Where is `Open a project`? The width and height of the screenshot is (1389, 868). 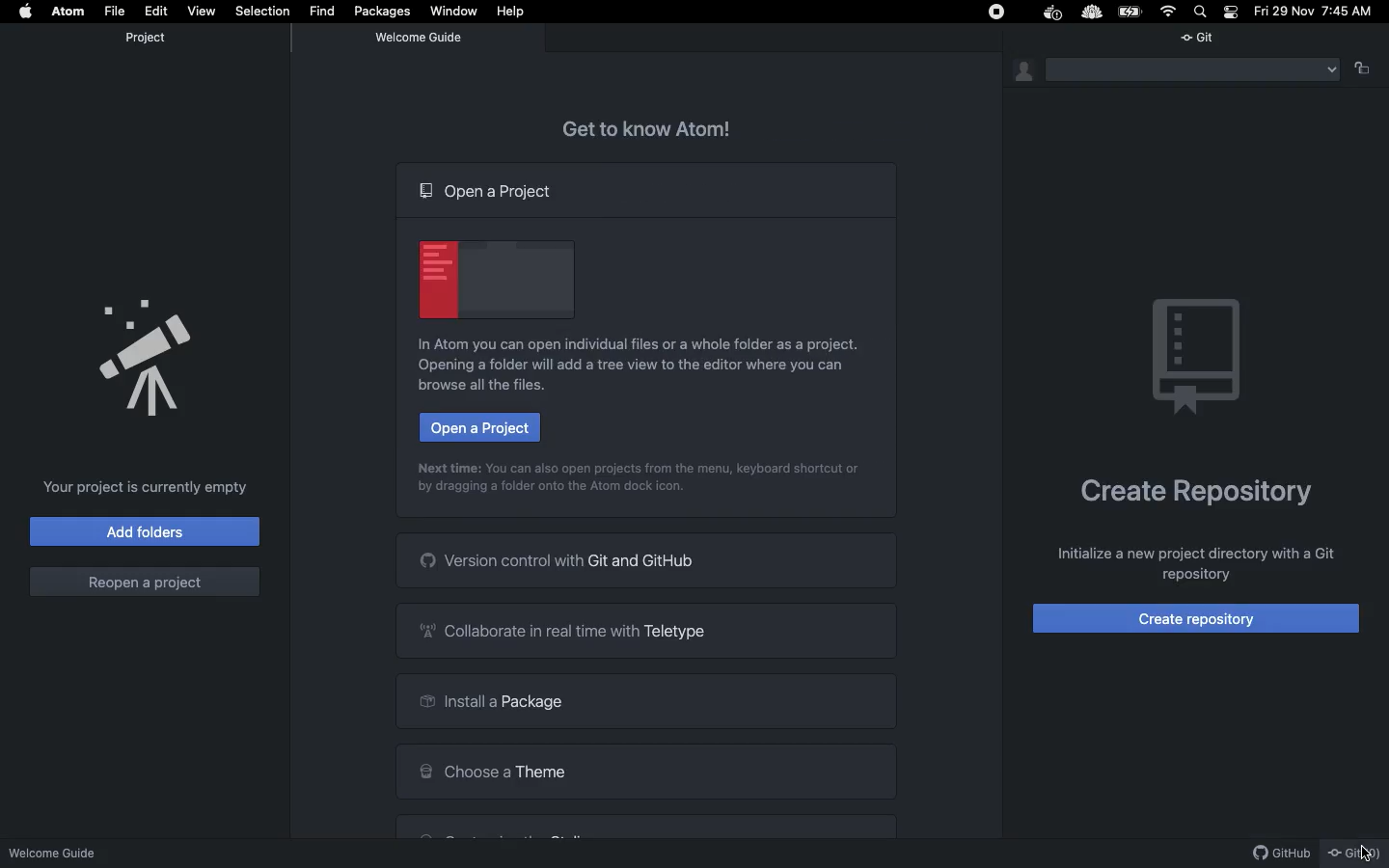
Open a project is located at coordinates (481, 428).